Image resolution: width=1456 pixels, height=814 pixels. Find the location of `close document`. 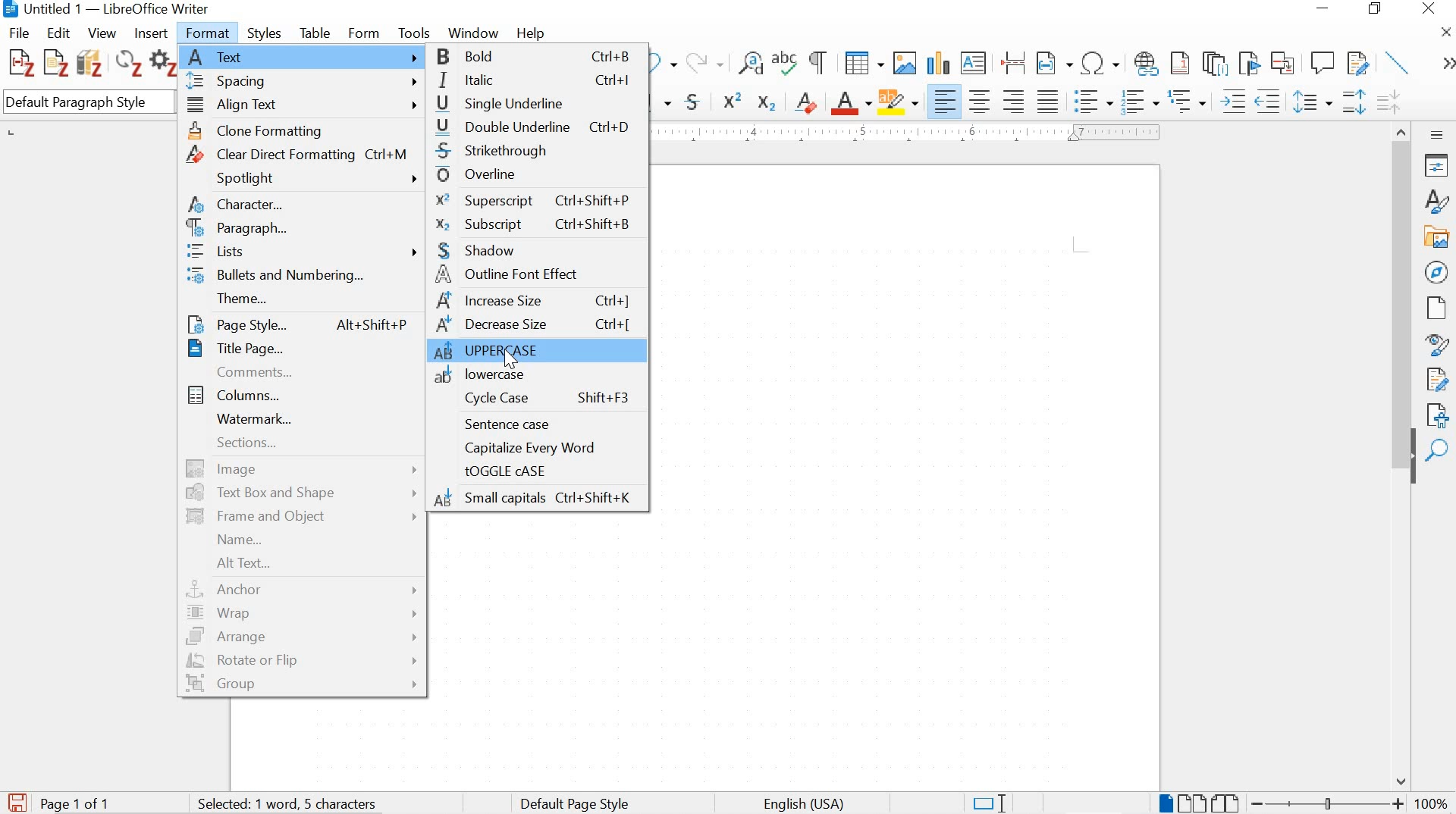

close document is located at coordinates (1446, 31).